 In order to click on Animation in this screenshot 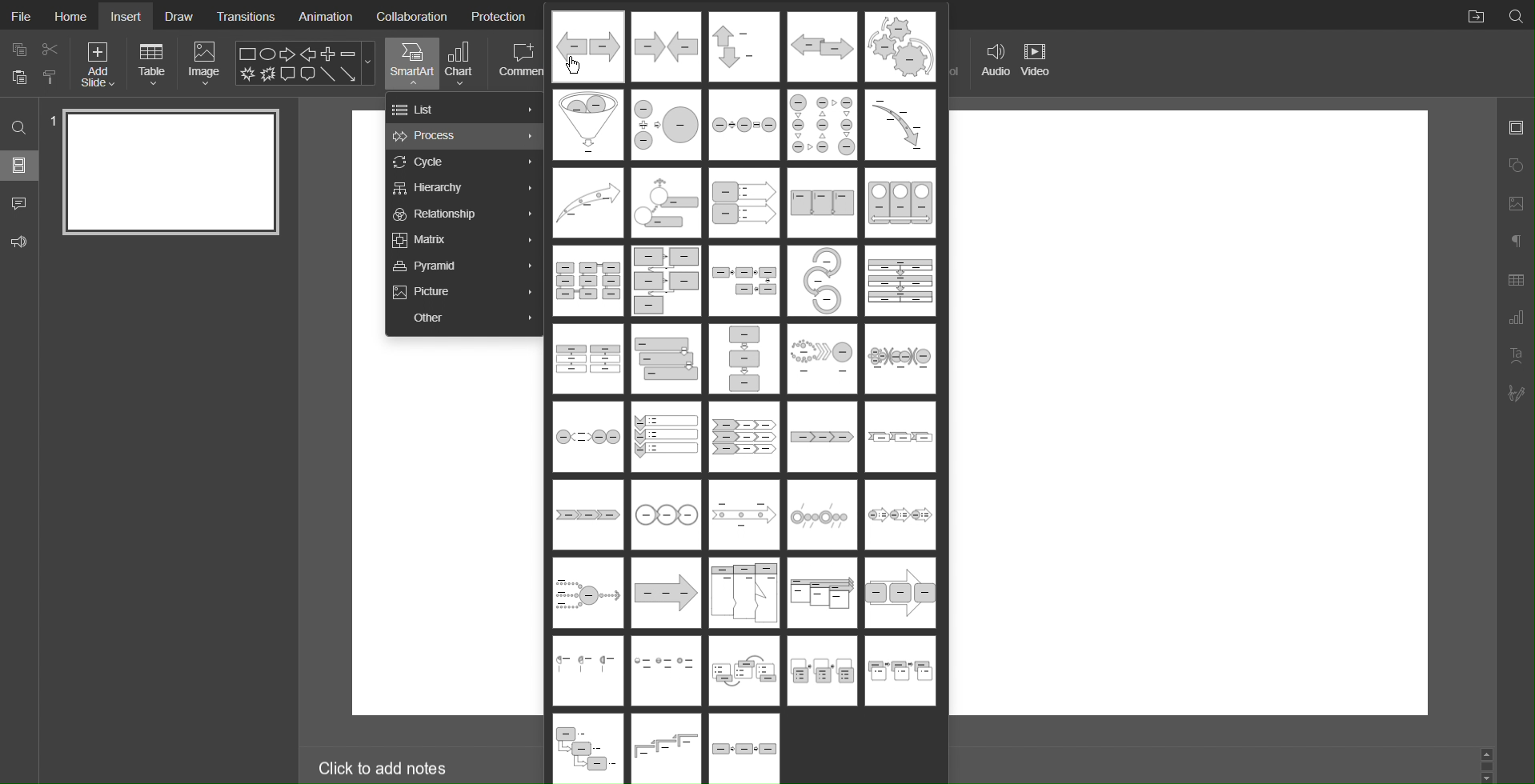, I will do `click(325, 14)`.